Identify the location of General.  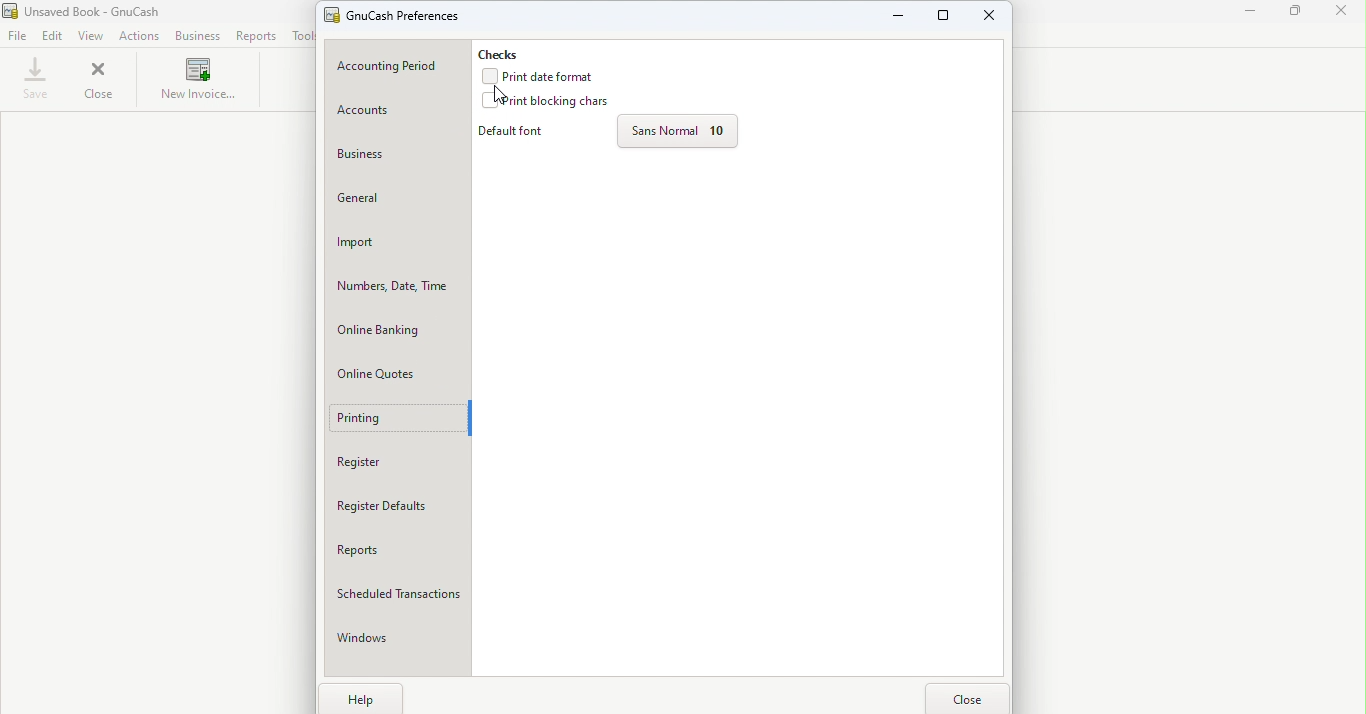
(399, 201).